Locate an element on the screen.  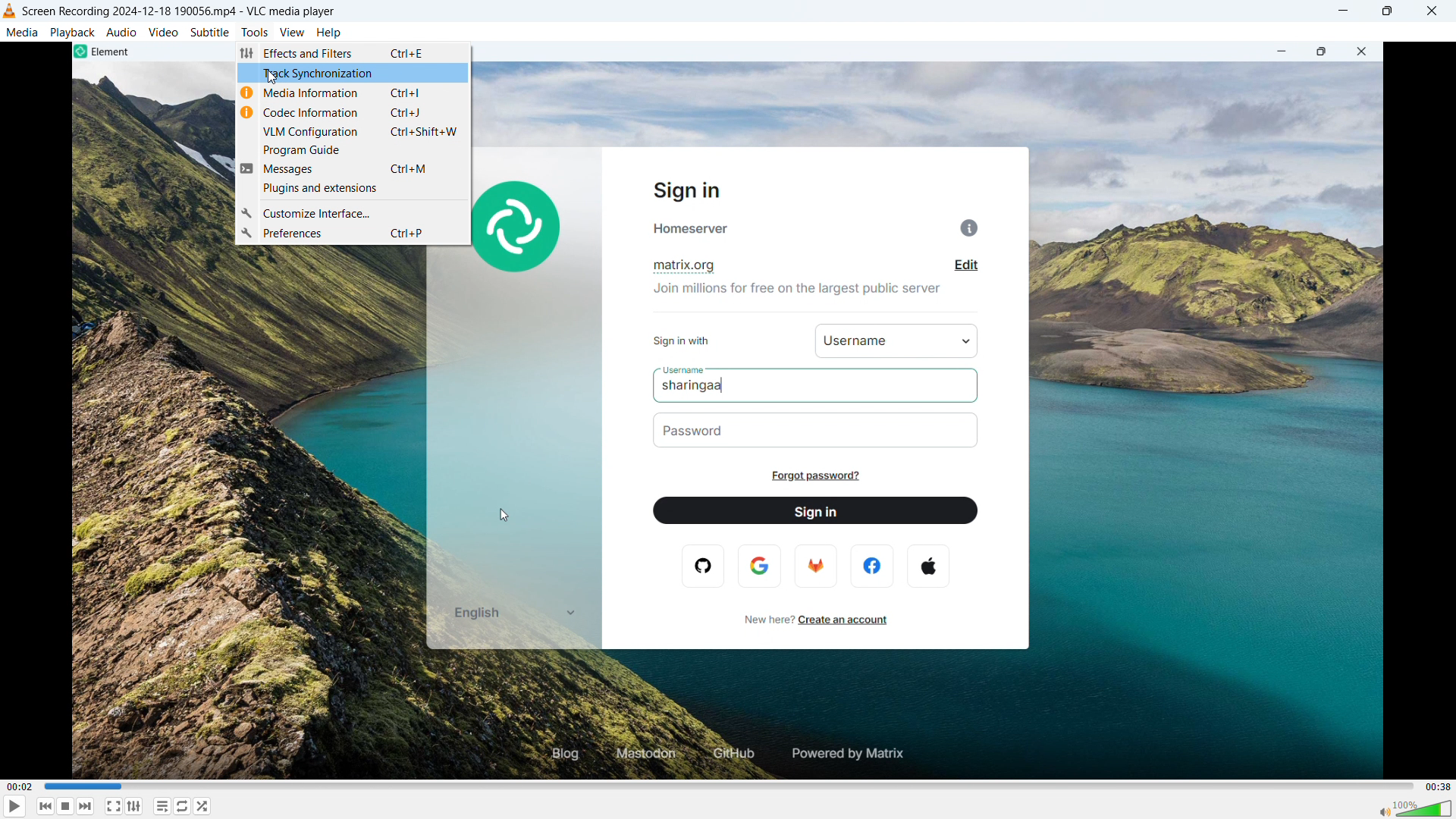
join millions for free on the largest public server. is located at coordinates (805, 295).